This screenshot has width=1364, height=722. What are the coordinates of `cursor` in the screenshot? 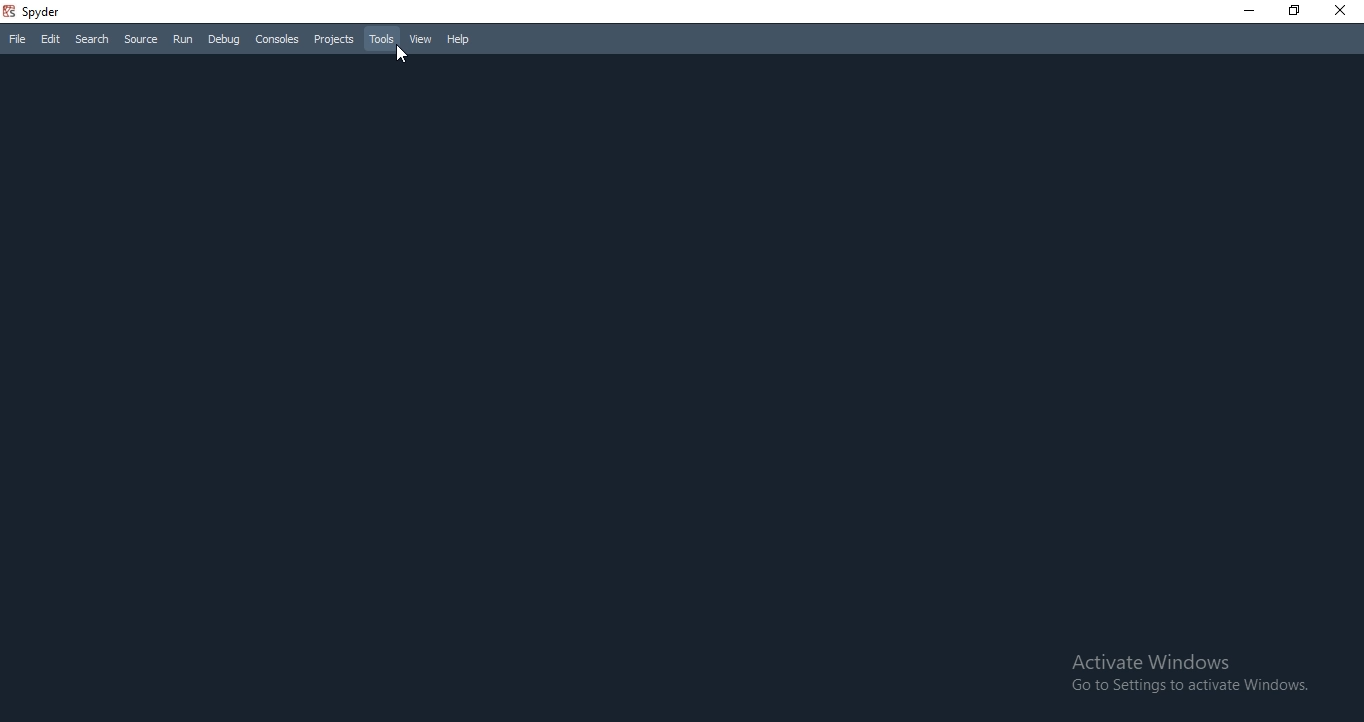 It's located at (401, 56).